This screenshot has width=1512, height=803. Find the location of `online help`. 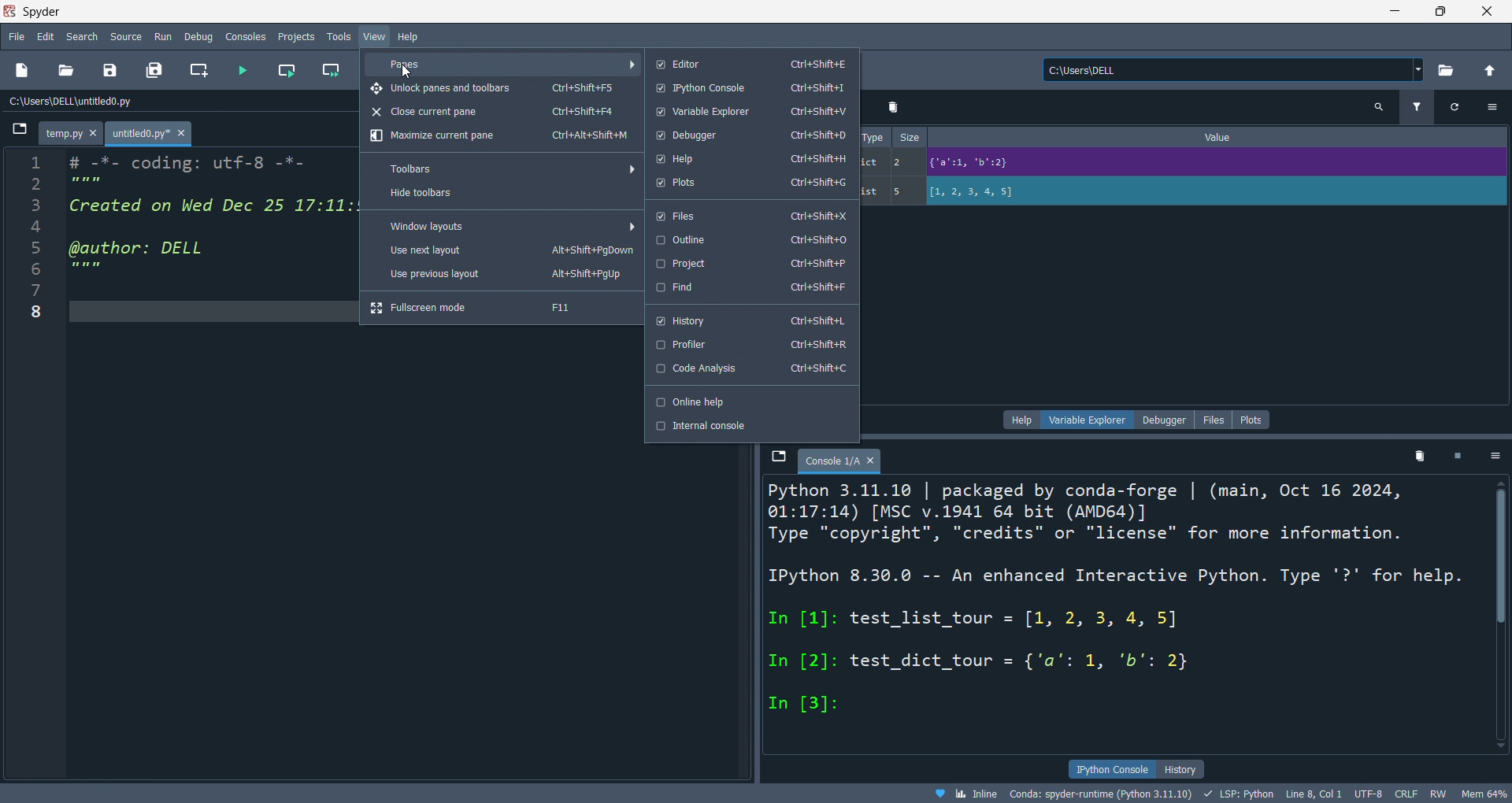

online help is located at coordinates (750, 401).